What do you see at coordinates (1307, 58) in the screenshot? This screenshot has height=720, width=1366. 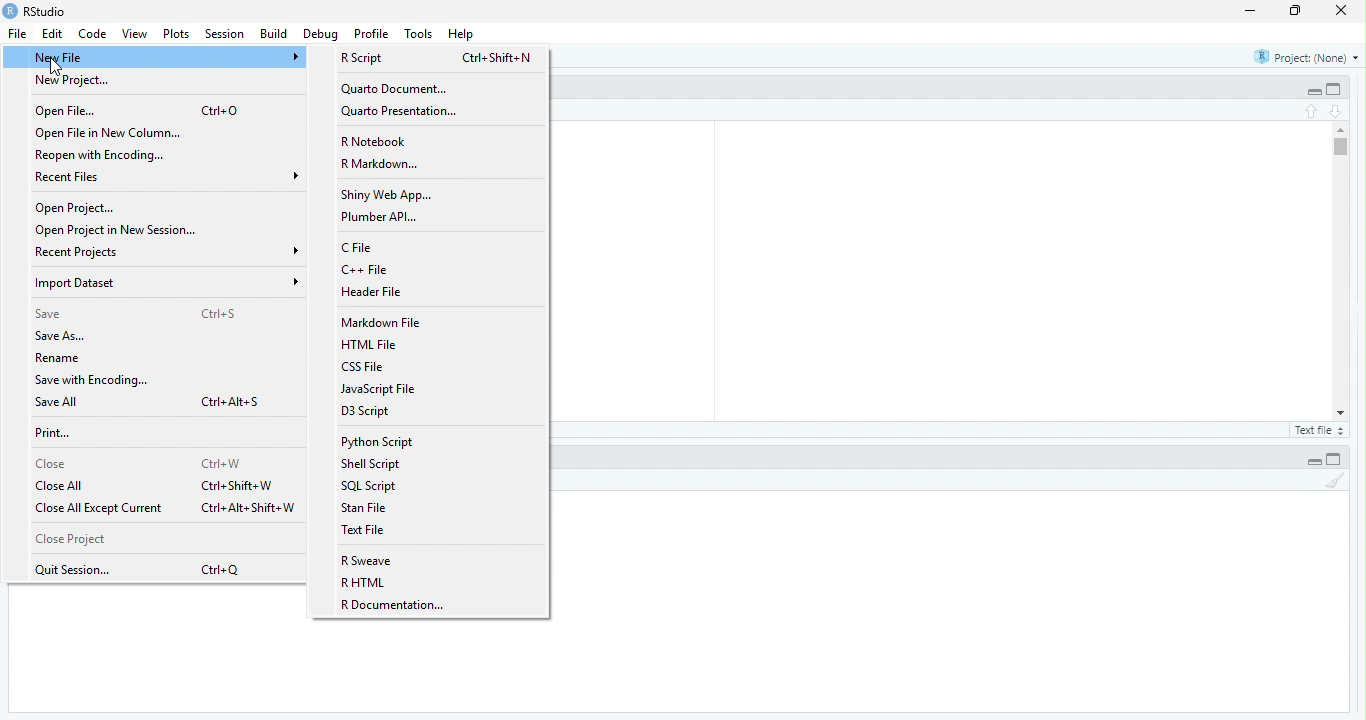 I see `Project: (None)` at bounding box center [1307, 58].